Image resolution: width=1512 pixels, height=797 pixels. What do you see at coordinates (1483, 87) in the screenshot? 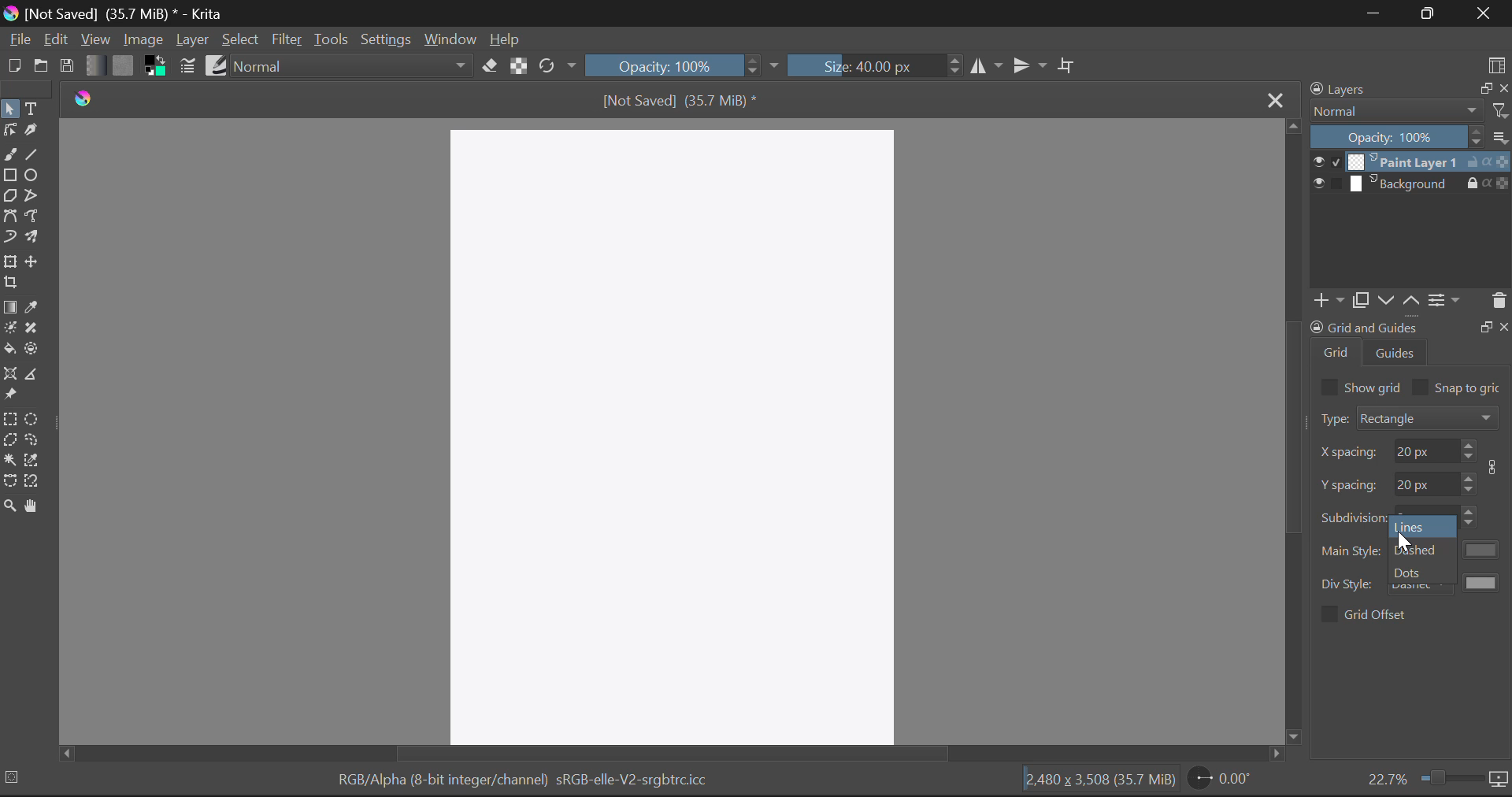
I see `copy` at bounding box center [1483, 87].